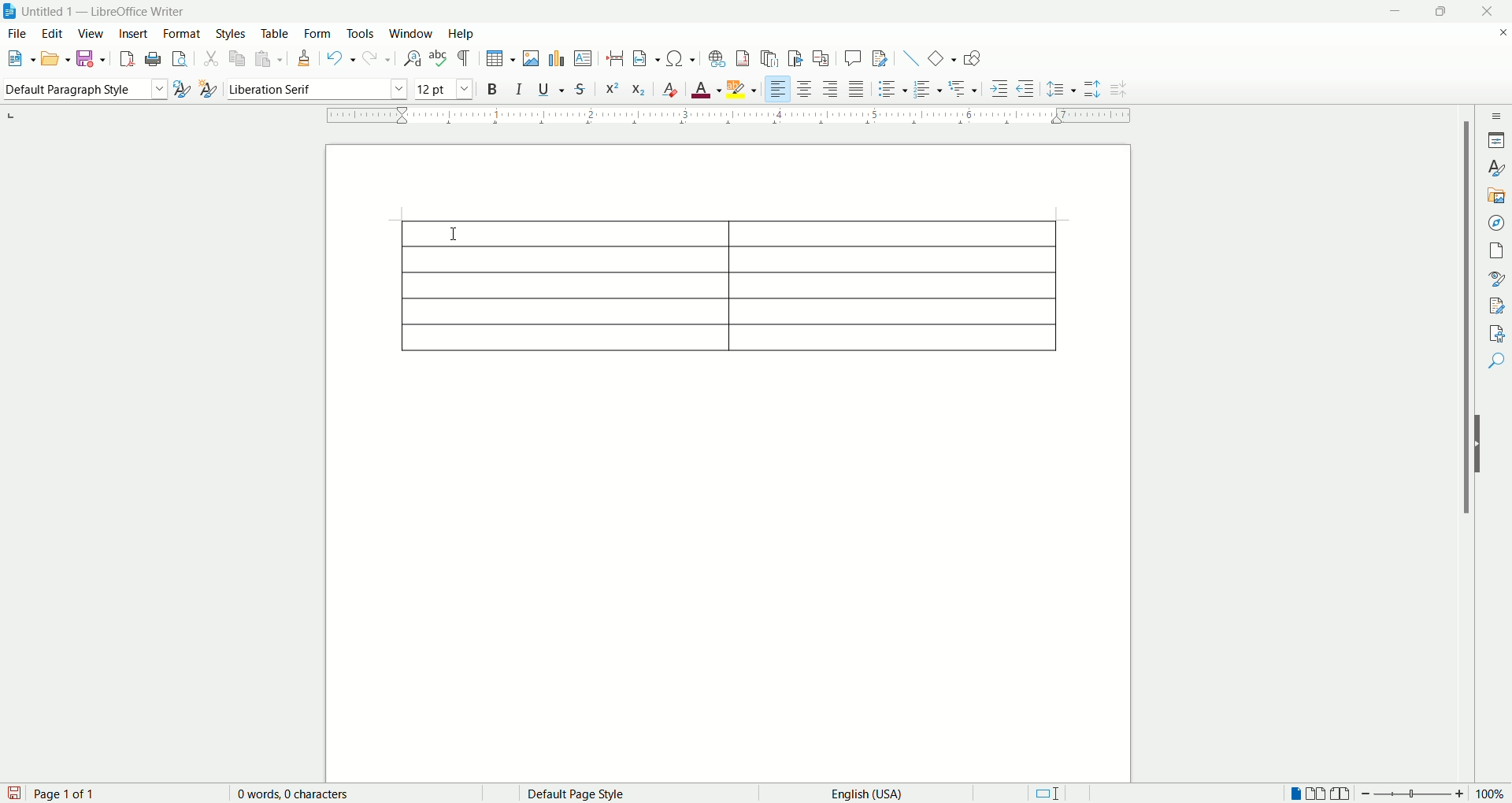  Describe the element at coordinates (1503, 33) in the screenshot. I see `close document` at that location.